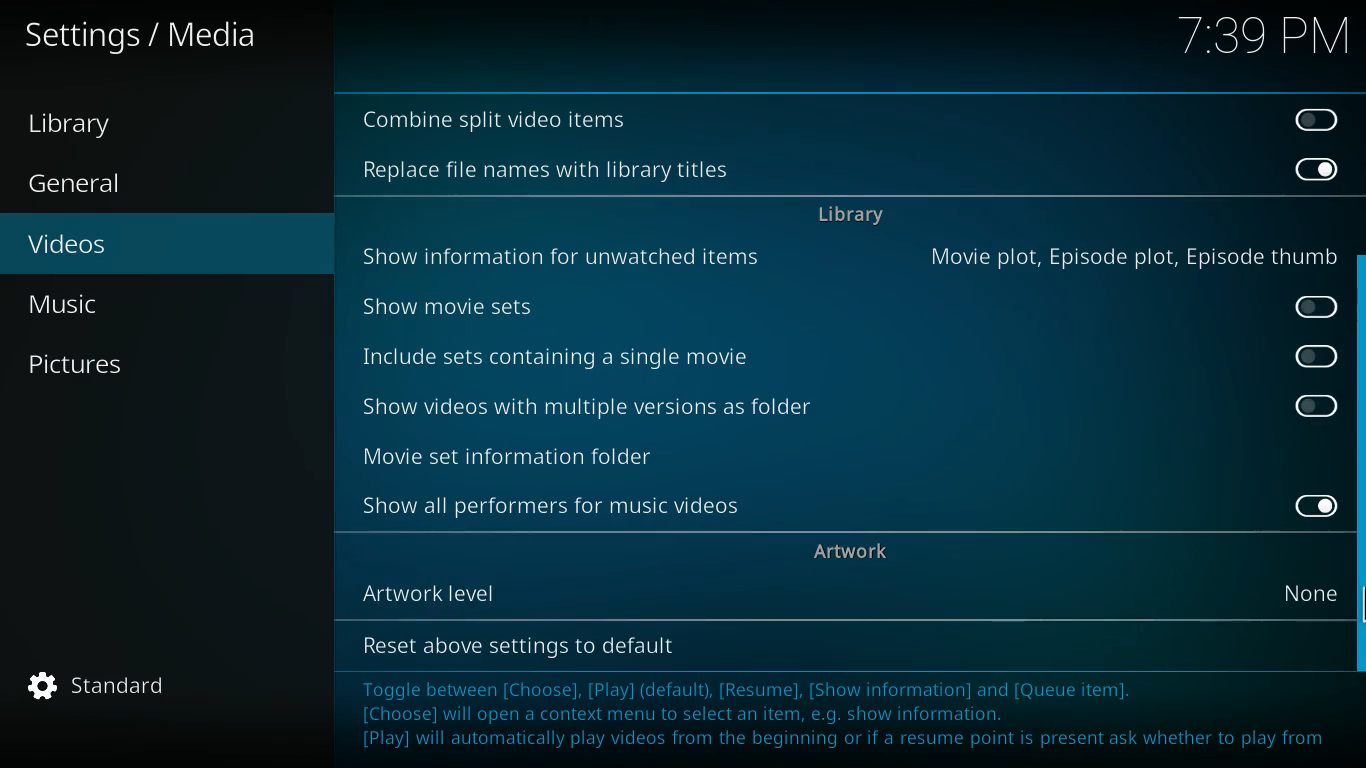 Image resolution: width=1366 pixels, height=768 pixels. What do you see at coordinates (1260, 38) in the screenshot?
I see `time` at bounding box center [1260, 38].